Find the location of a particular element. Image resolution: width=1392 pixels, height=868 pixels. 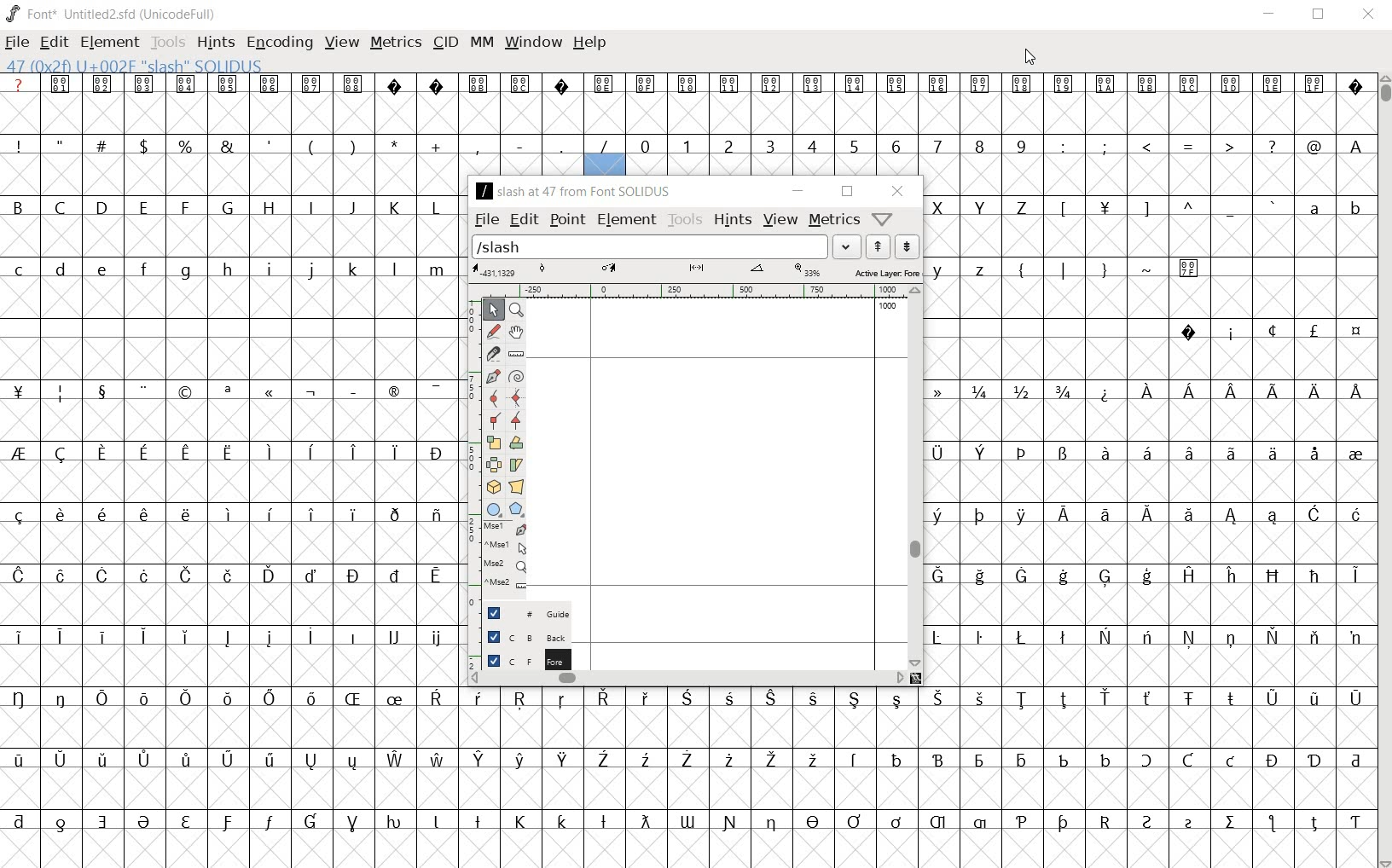

special letters is located at coordinates (684, 760).